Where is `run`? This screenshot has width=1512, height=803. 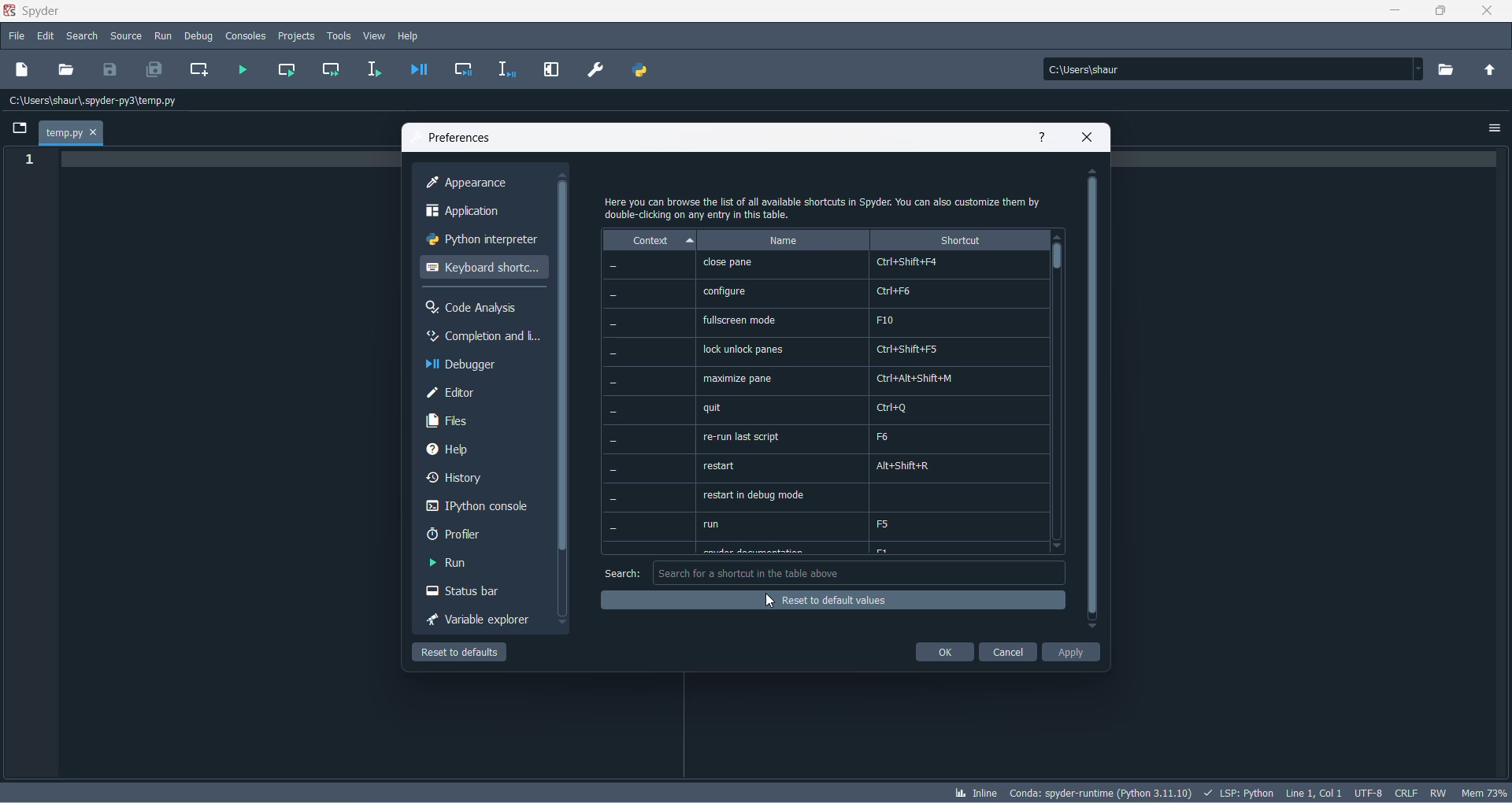 run is located at coordinates (476, 561).